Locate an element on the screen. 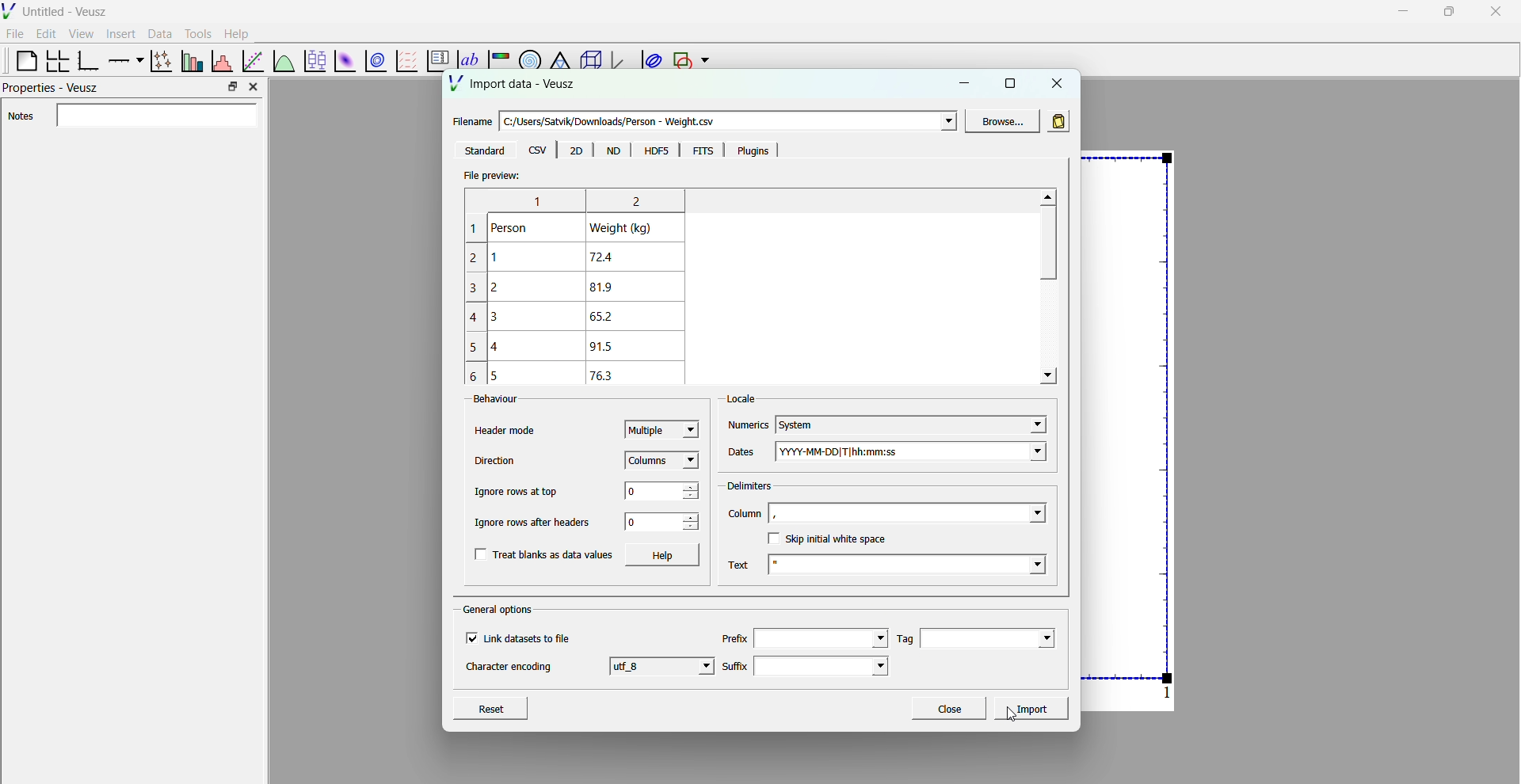 This screenshot has height=784, width=1521. plot key is located at coordinates (435, 62).